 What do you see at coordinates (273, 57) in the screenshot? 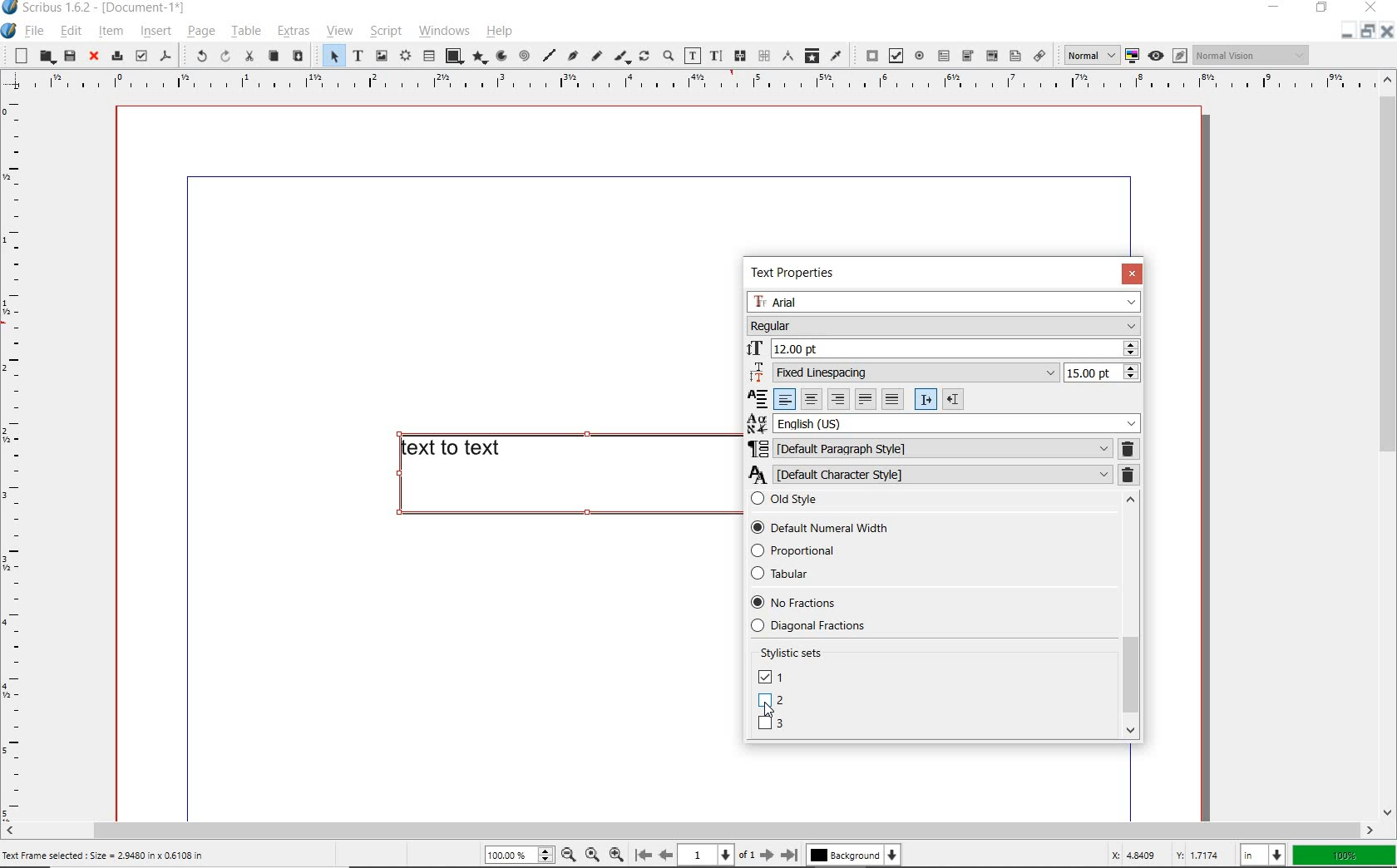
I see `copy` at bounding box center [273, 57].